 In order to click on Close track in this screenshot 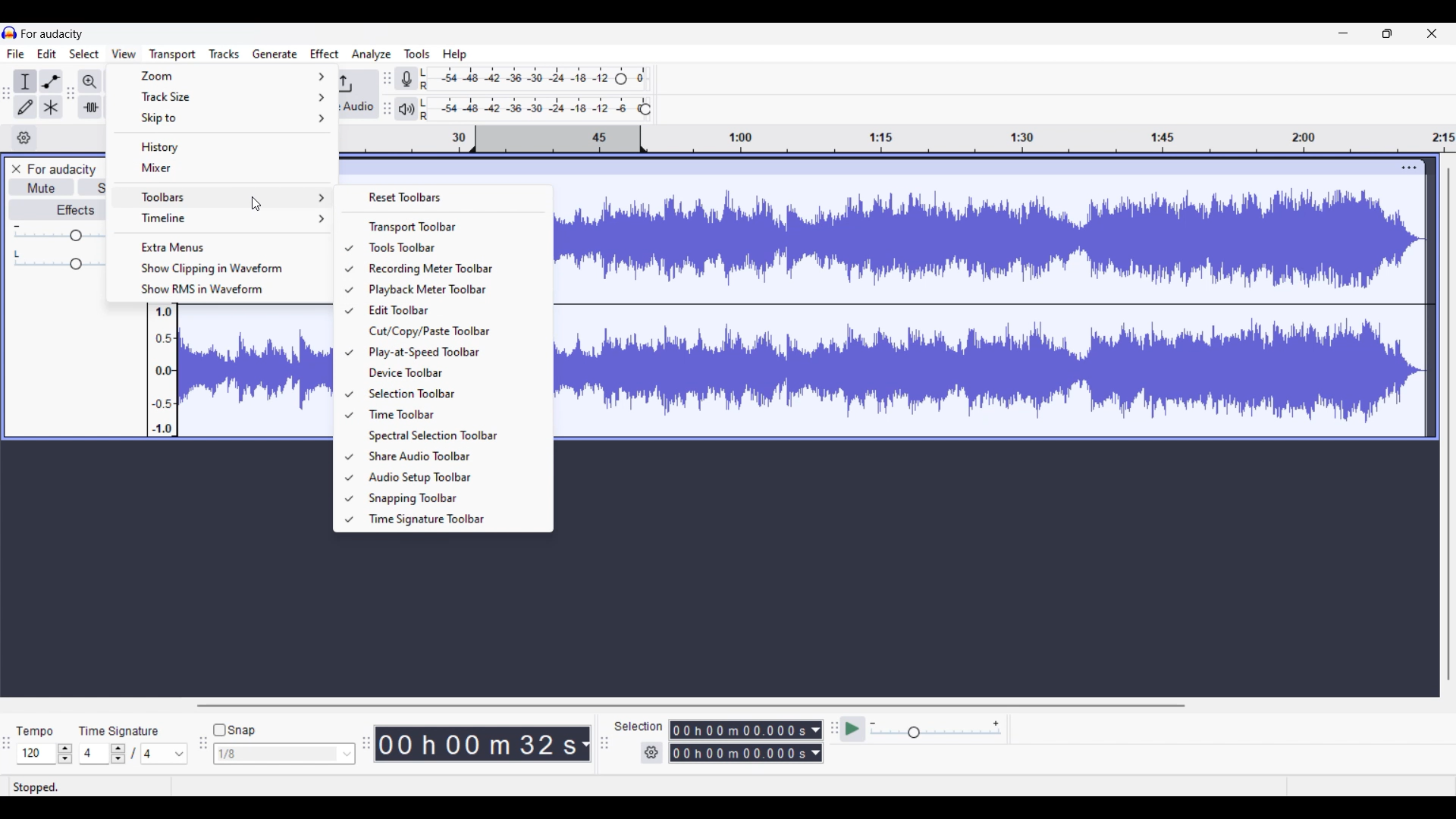, I will do `click(17, 169)`.